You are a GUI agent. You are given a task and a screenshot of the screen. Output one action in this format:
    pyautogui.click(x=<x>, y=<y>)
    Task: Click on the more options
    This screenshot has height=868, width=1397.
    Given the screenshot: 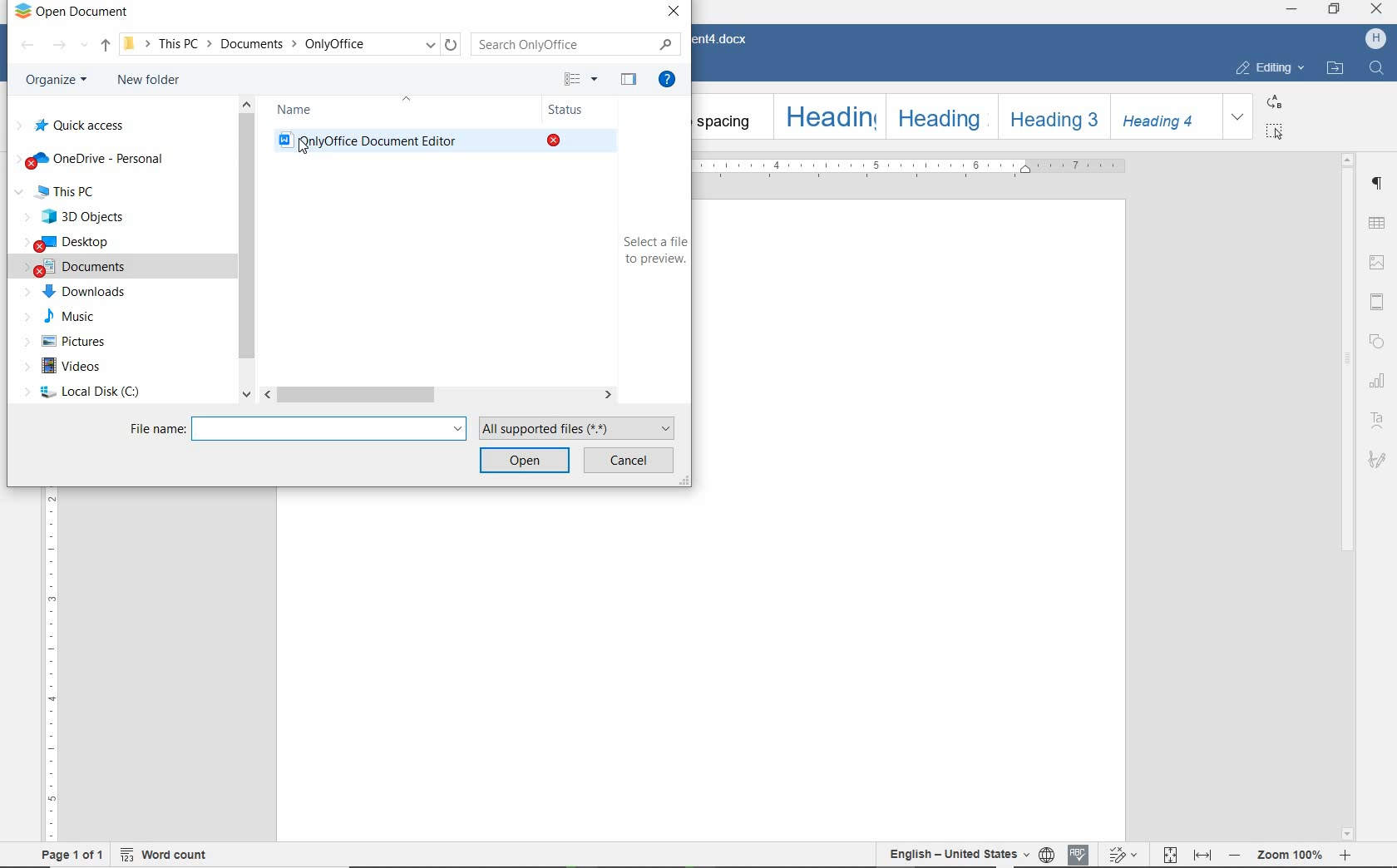 What is the action you would take?
    pyautogui.click(x=578, y=79)
    